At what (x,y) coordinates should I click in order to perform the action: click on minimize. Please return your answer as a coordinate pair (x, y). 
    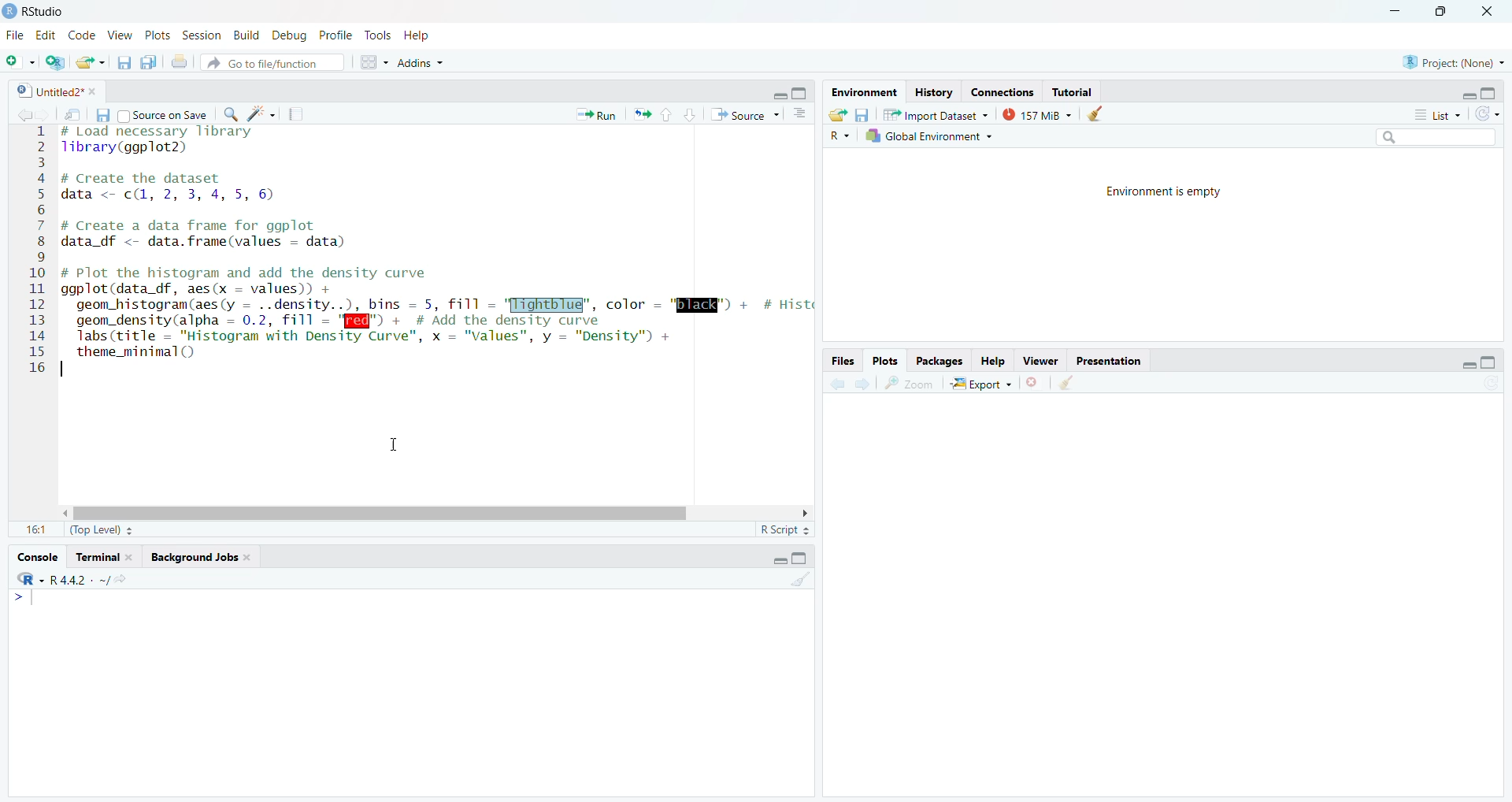
    Looking at the image, I should click on (1470, 366).